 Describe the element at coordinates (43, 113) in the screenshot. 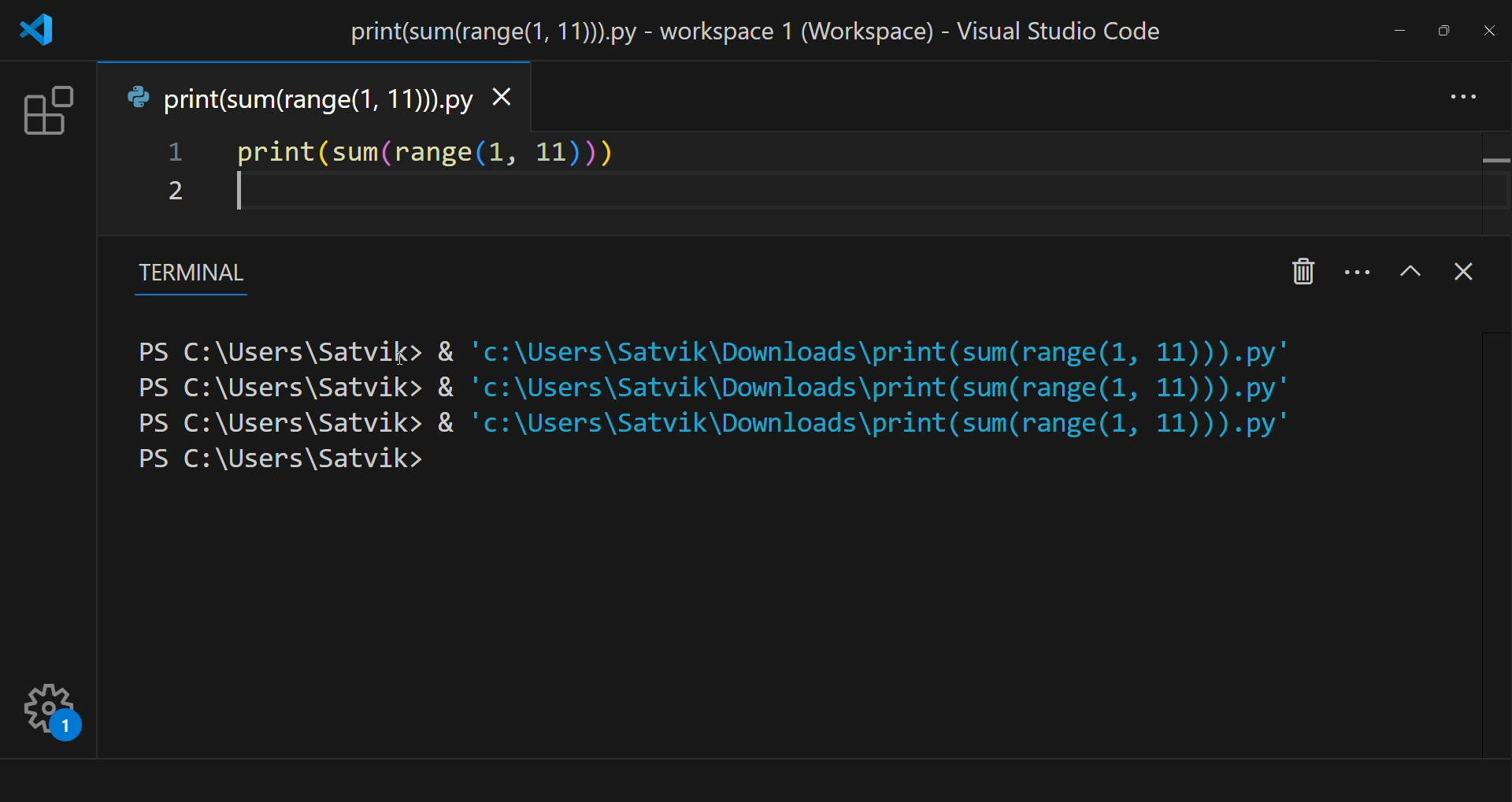

I see `extension` at that location.